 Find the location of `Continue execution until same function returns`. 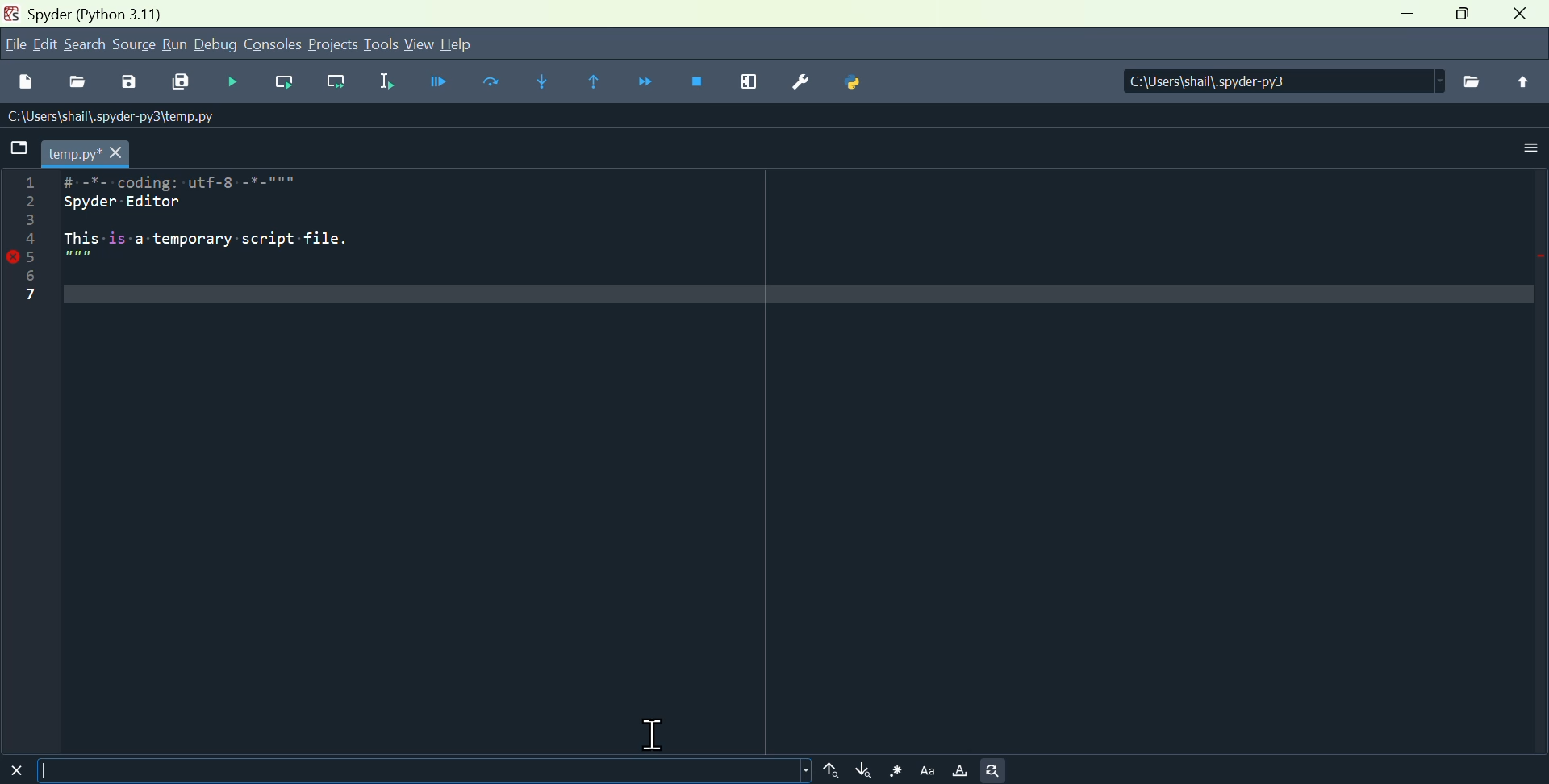

Continue execution until same function returns is located at coordinates (594, 84).